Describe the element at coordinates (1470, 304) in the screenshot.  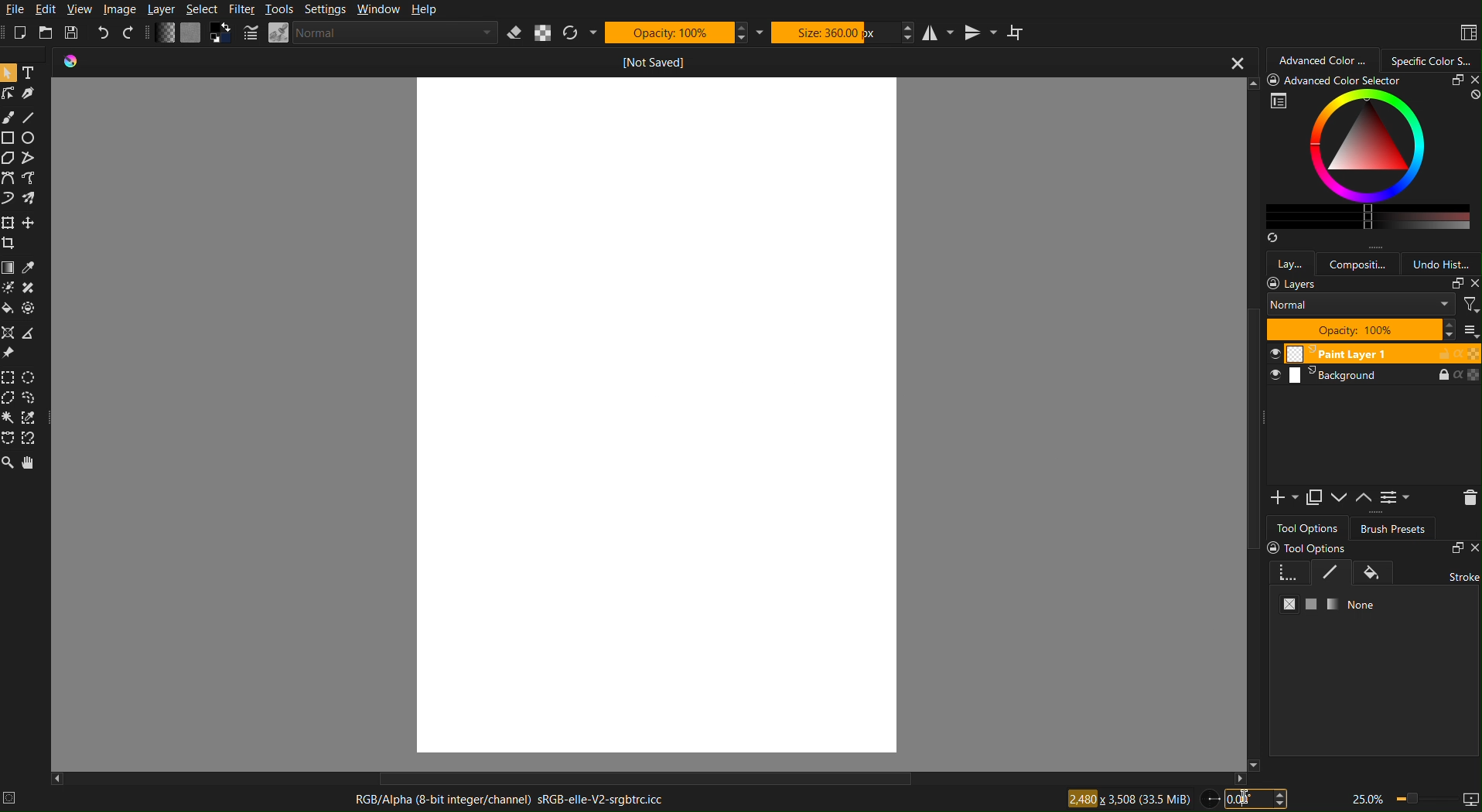
I see `filter` at that location.